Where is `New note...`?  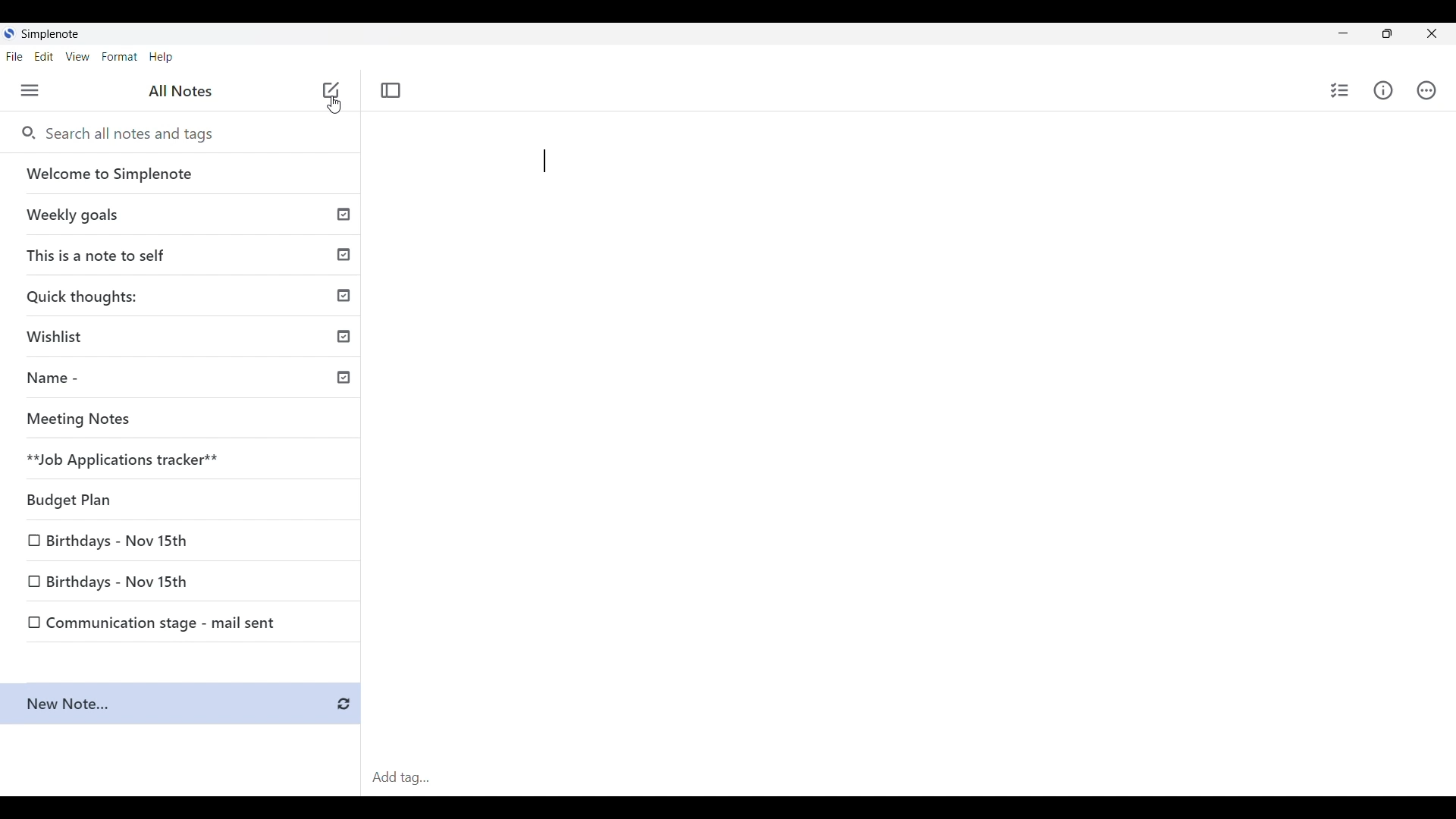
New note... is located at coordinates (184, 704).